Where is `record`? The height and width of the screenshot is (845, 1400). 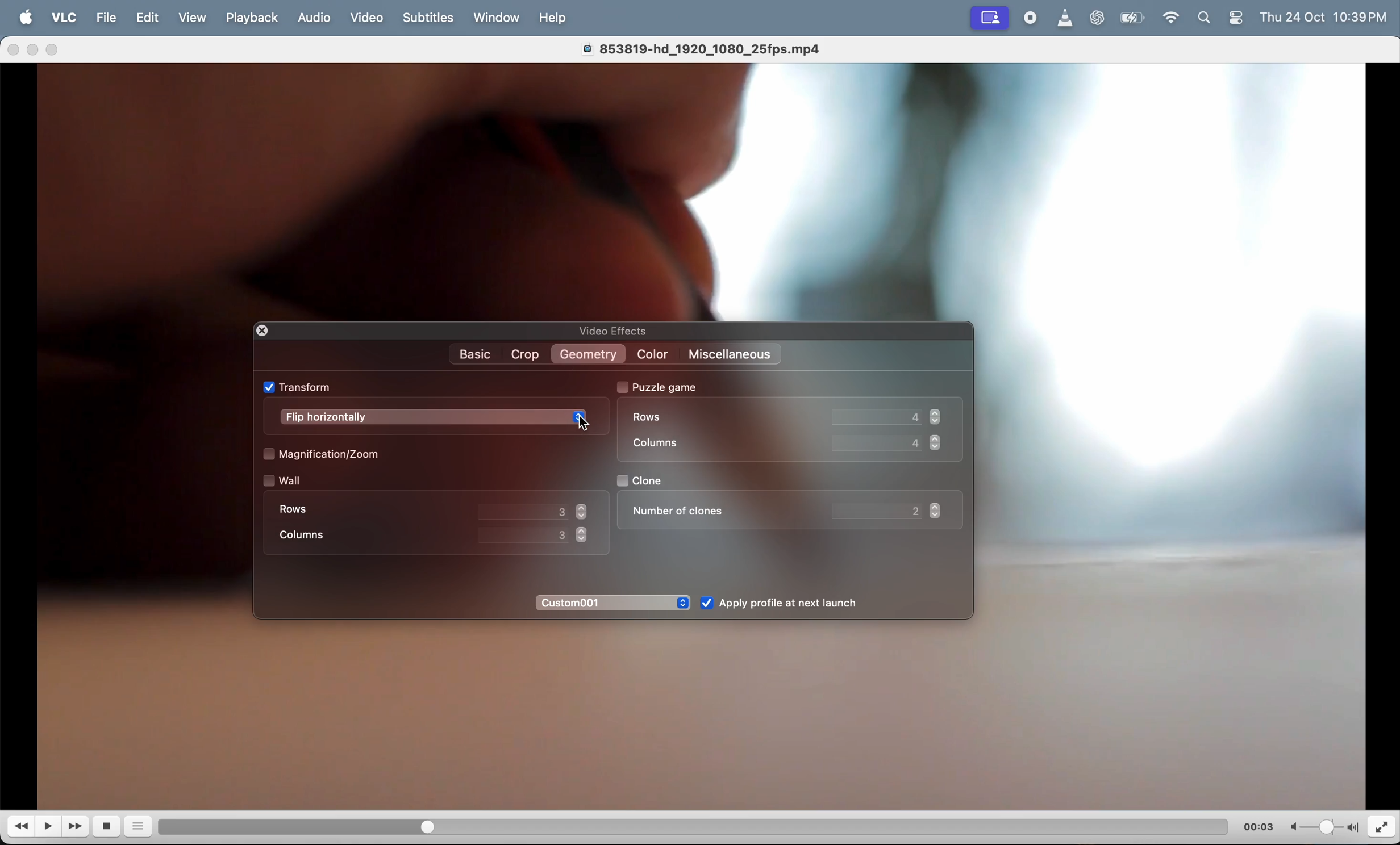 record is located at coordinates (1030, 18).